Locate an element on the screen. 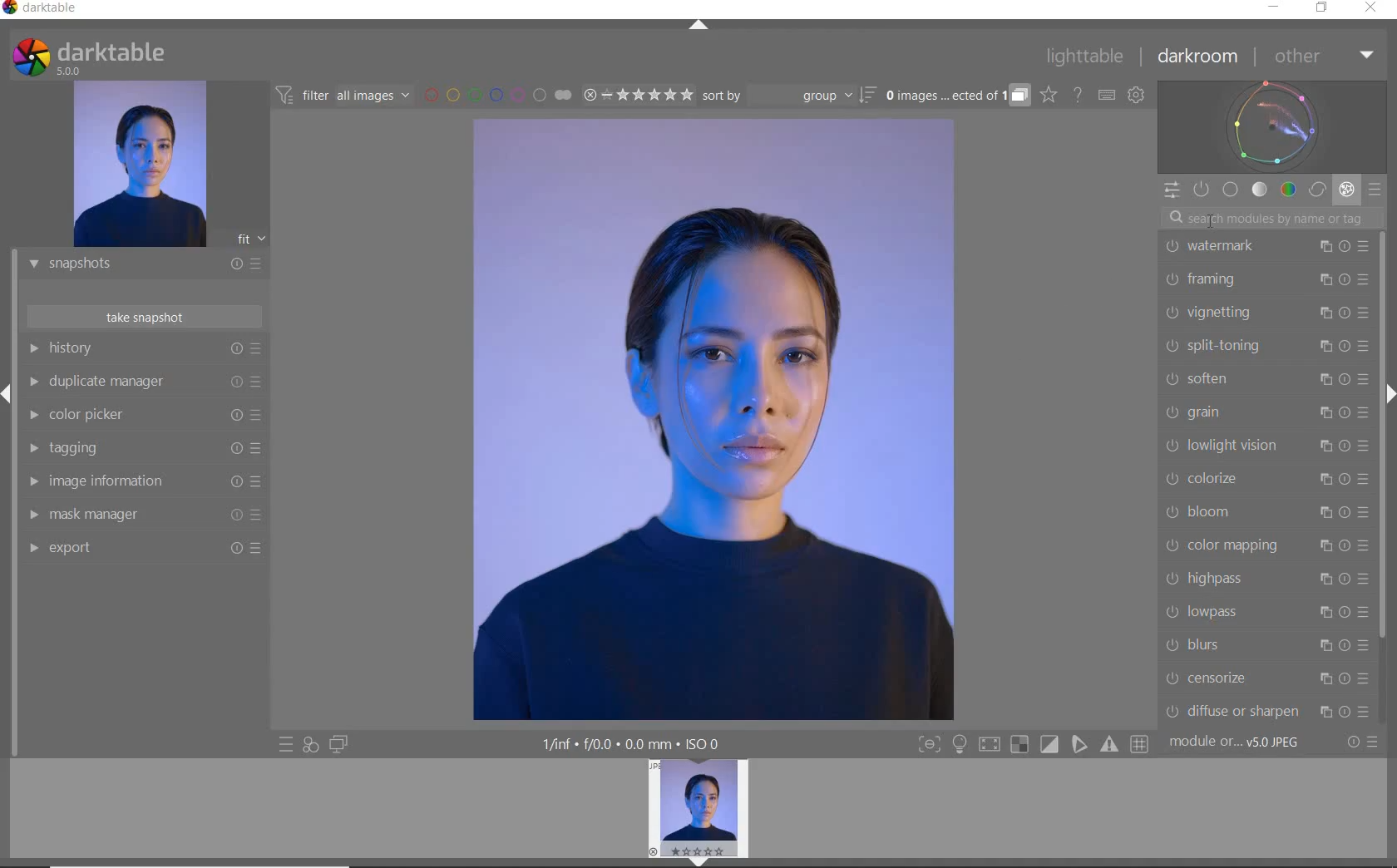  Button is located at coordinates (1111, 744).